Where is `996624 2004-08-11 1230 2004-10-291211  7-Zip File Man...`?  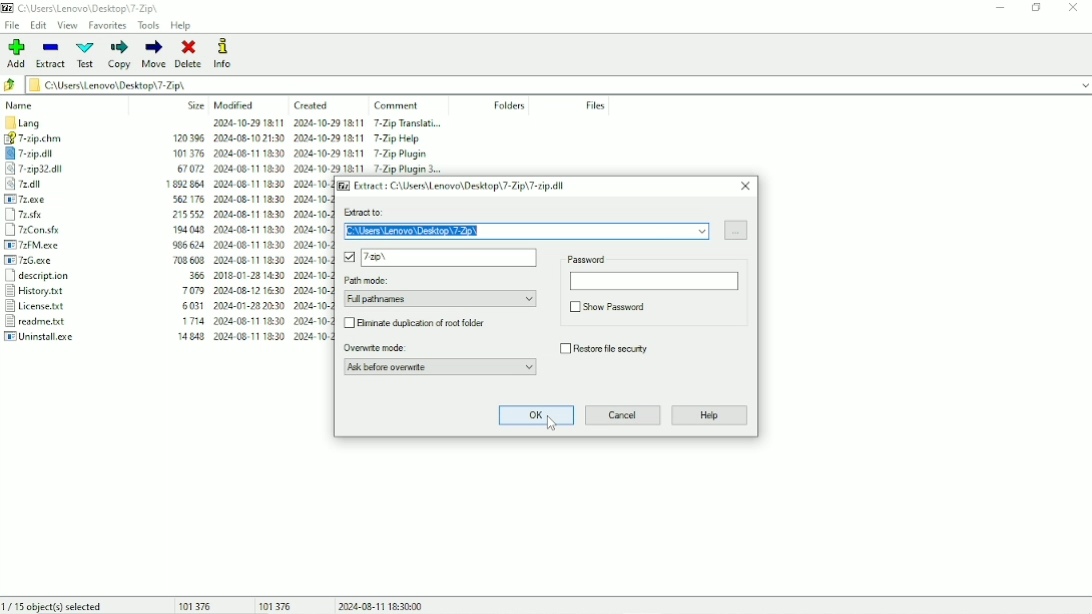
996624 2004-08-11 1230 2004-10-291211  7-Zip File Man... is located at coordinates (248, 244).